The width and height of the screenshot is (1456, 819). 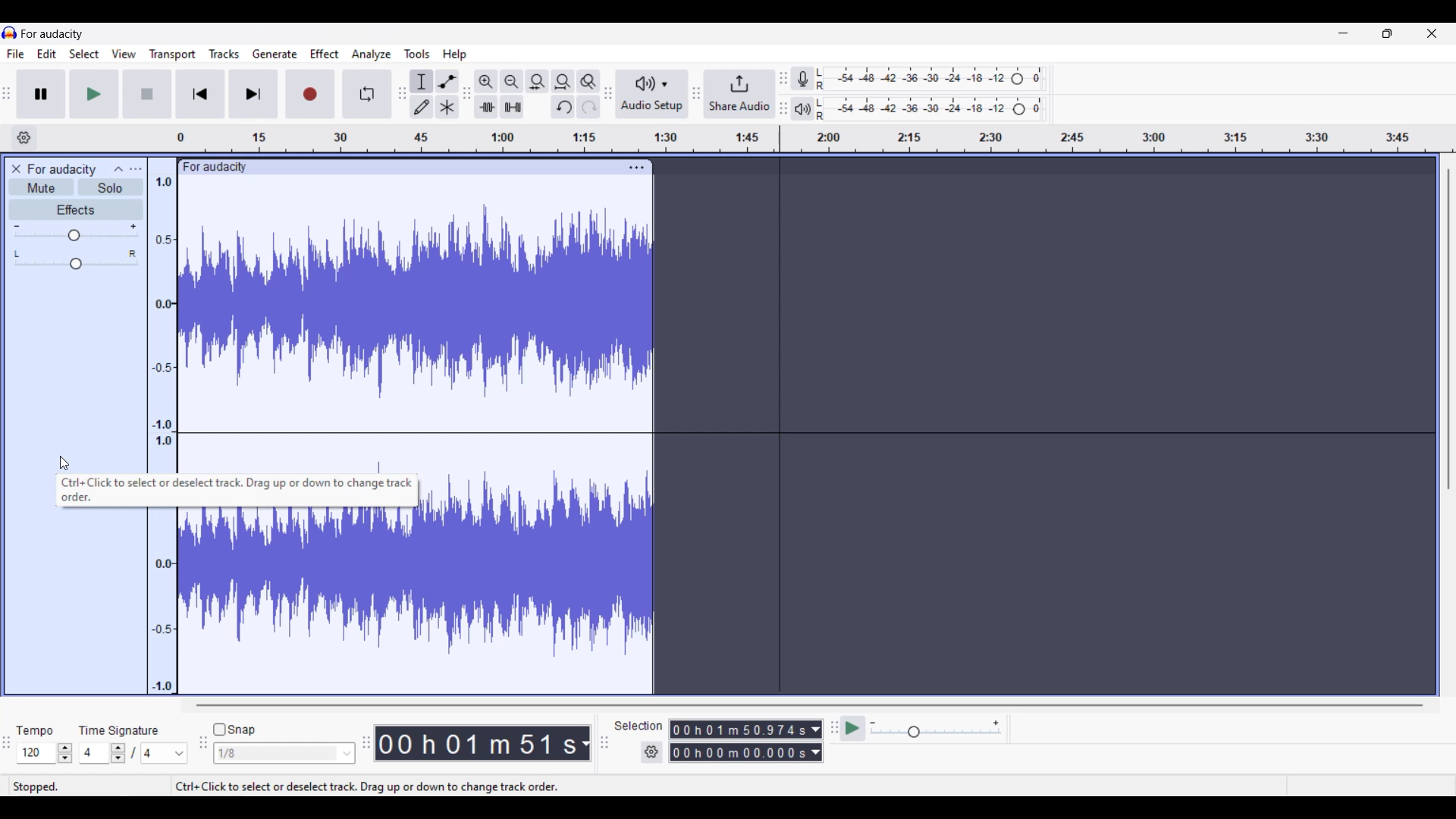 I want to click on Pan slider, so click(x=76, y=260).